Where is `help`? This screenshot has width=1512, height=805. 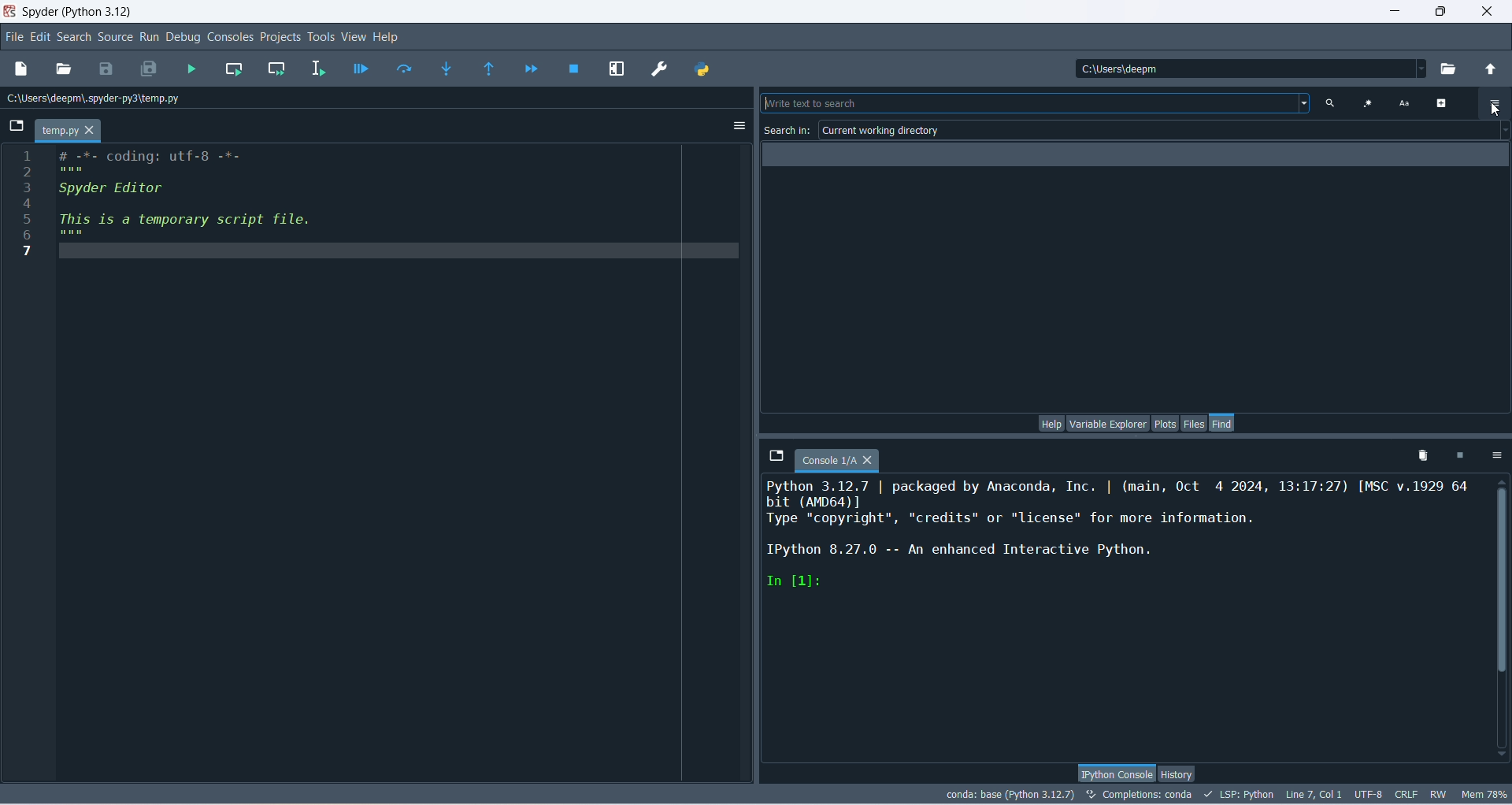 help is located at coordinates (1049, 423).